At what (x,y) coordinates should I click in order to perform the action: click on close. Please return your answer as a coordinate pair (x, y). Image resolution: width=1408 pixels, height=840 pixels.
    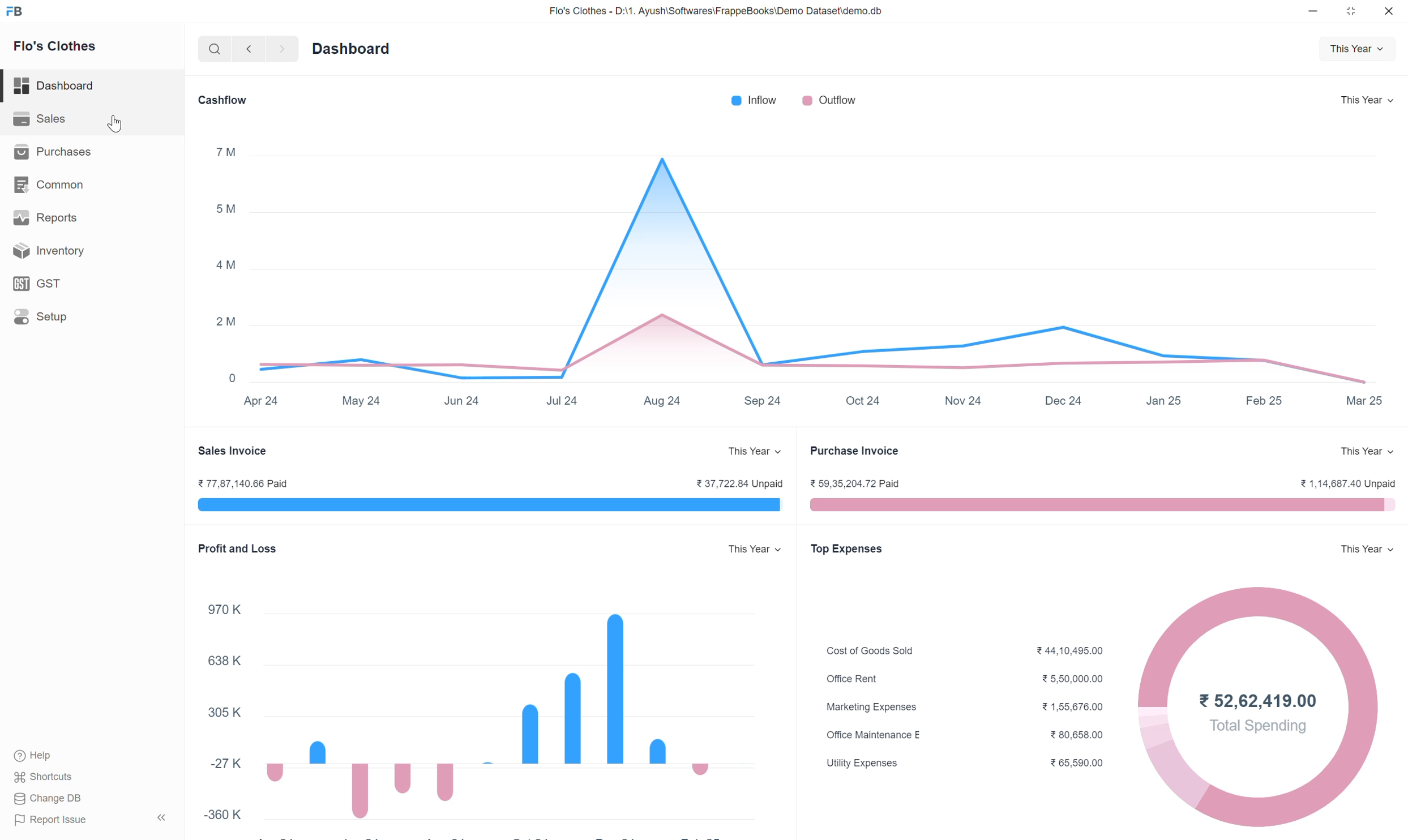
    Looking at the image, I should click on (1389, 12).